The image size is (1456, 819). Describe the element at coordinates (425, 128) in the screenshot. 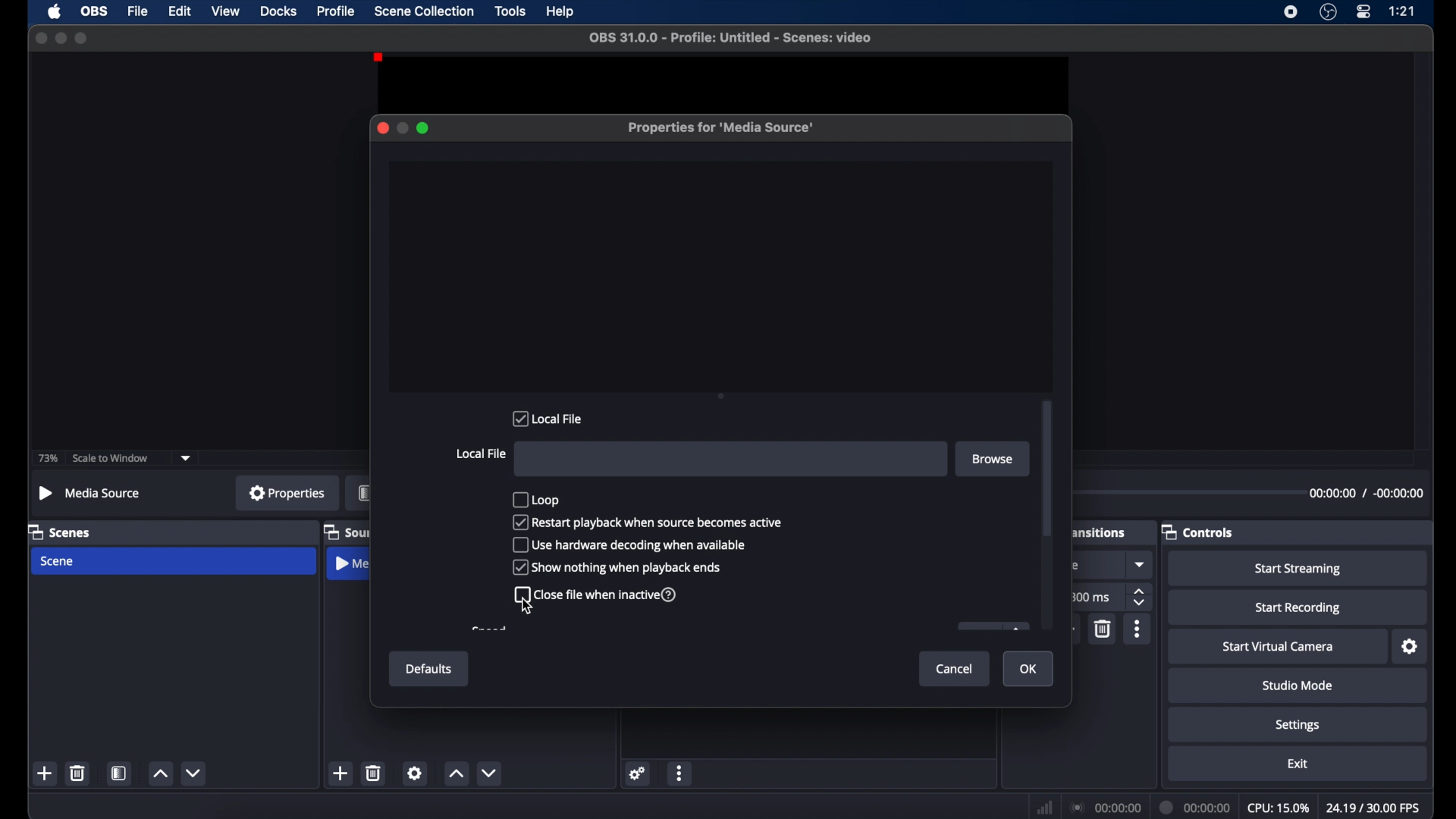

I see `maximize` at that location.